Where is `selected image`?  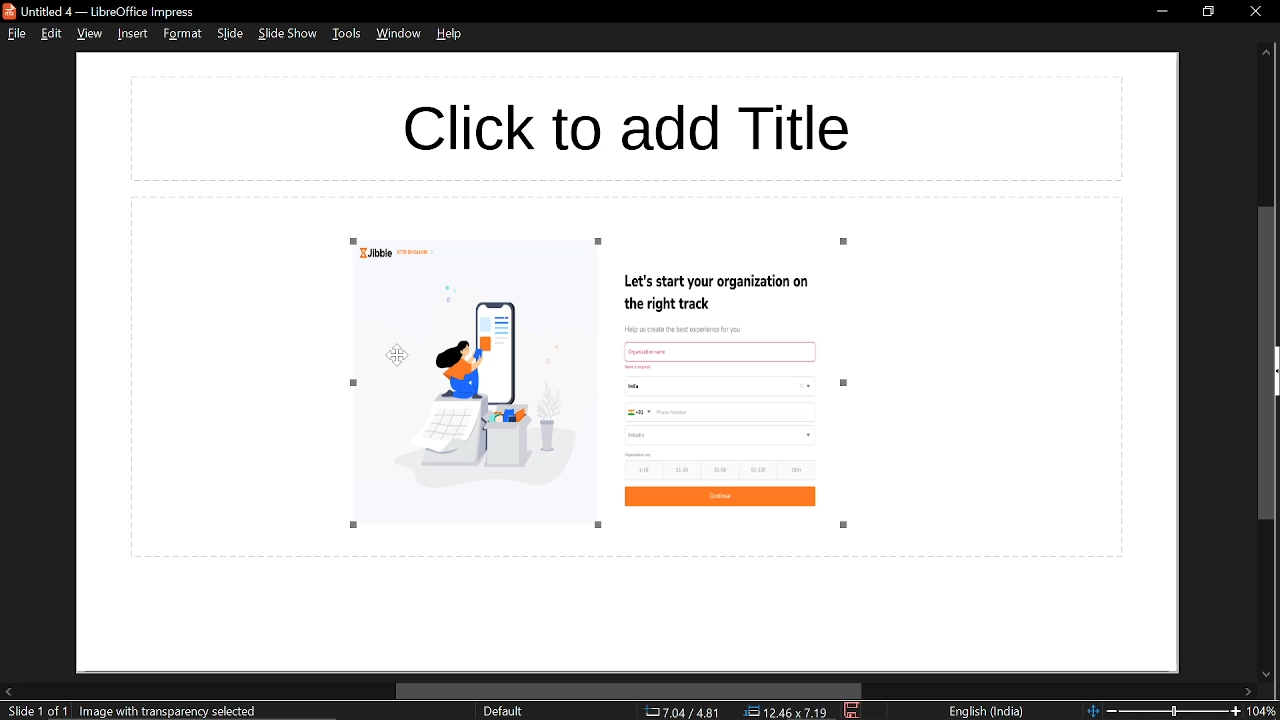
selected image is located at coordinates (173, 711).